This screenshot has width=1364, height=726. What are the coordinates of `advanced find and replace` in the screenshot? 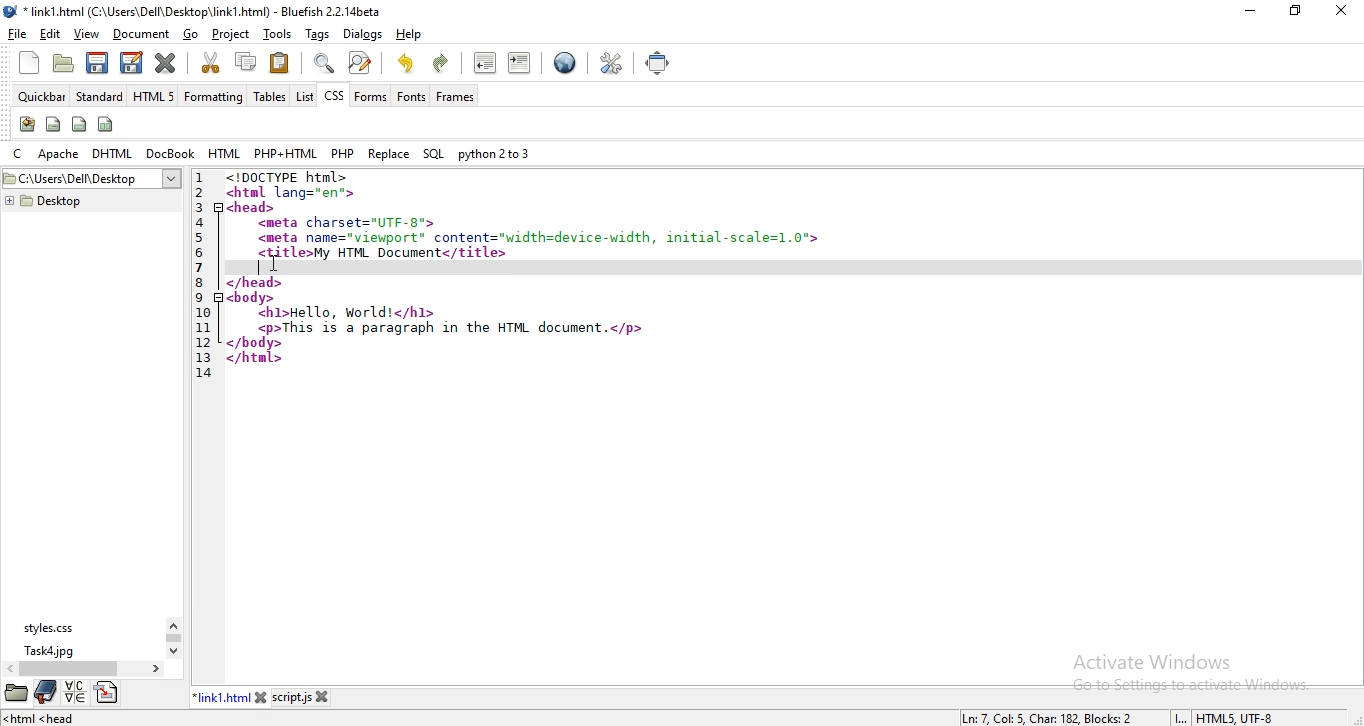 It's located at (360, 62).